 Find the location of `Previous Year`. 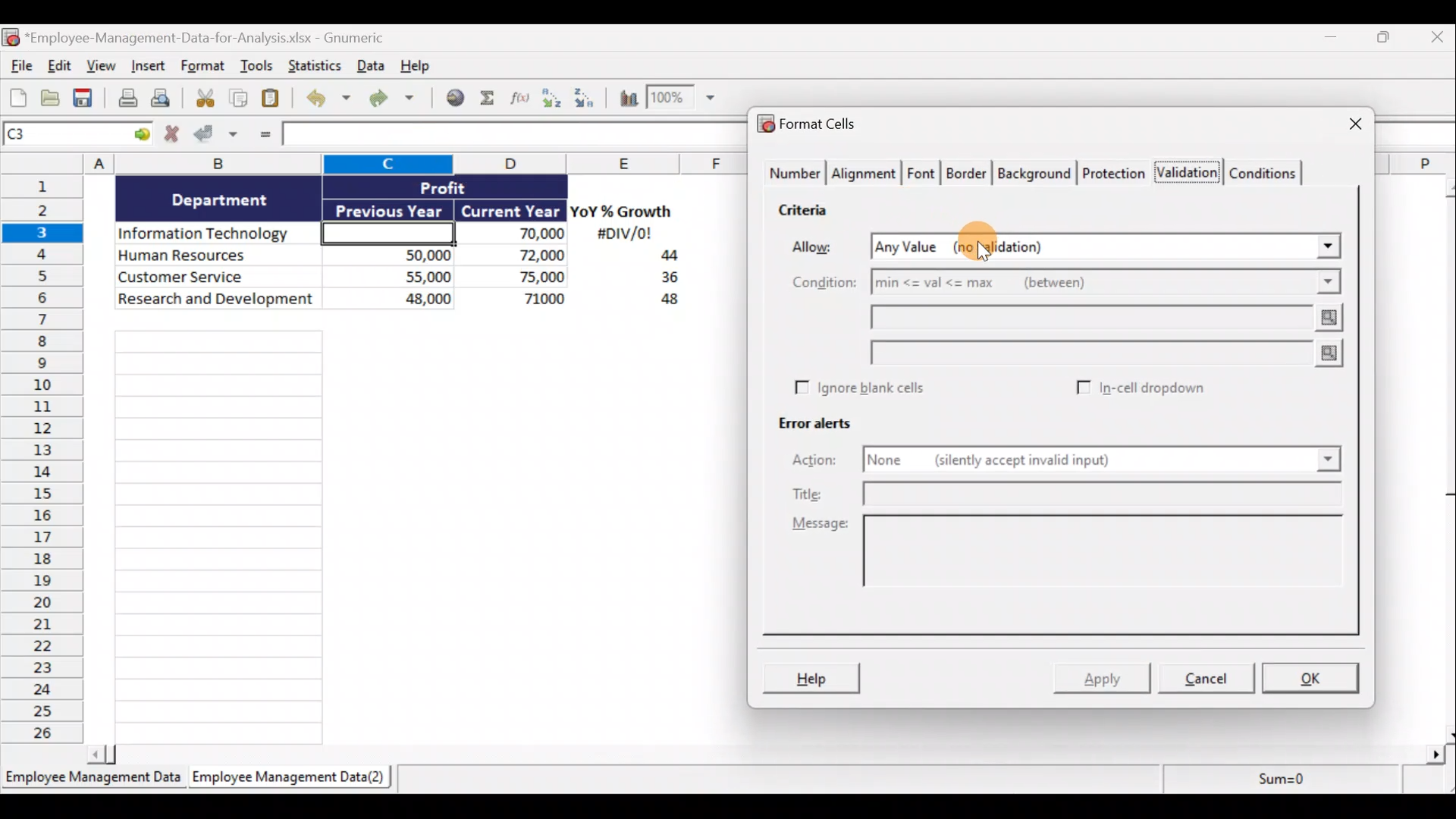

Previous Year is located at coordinates (390, 208).